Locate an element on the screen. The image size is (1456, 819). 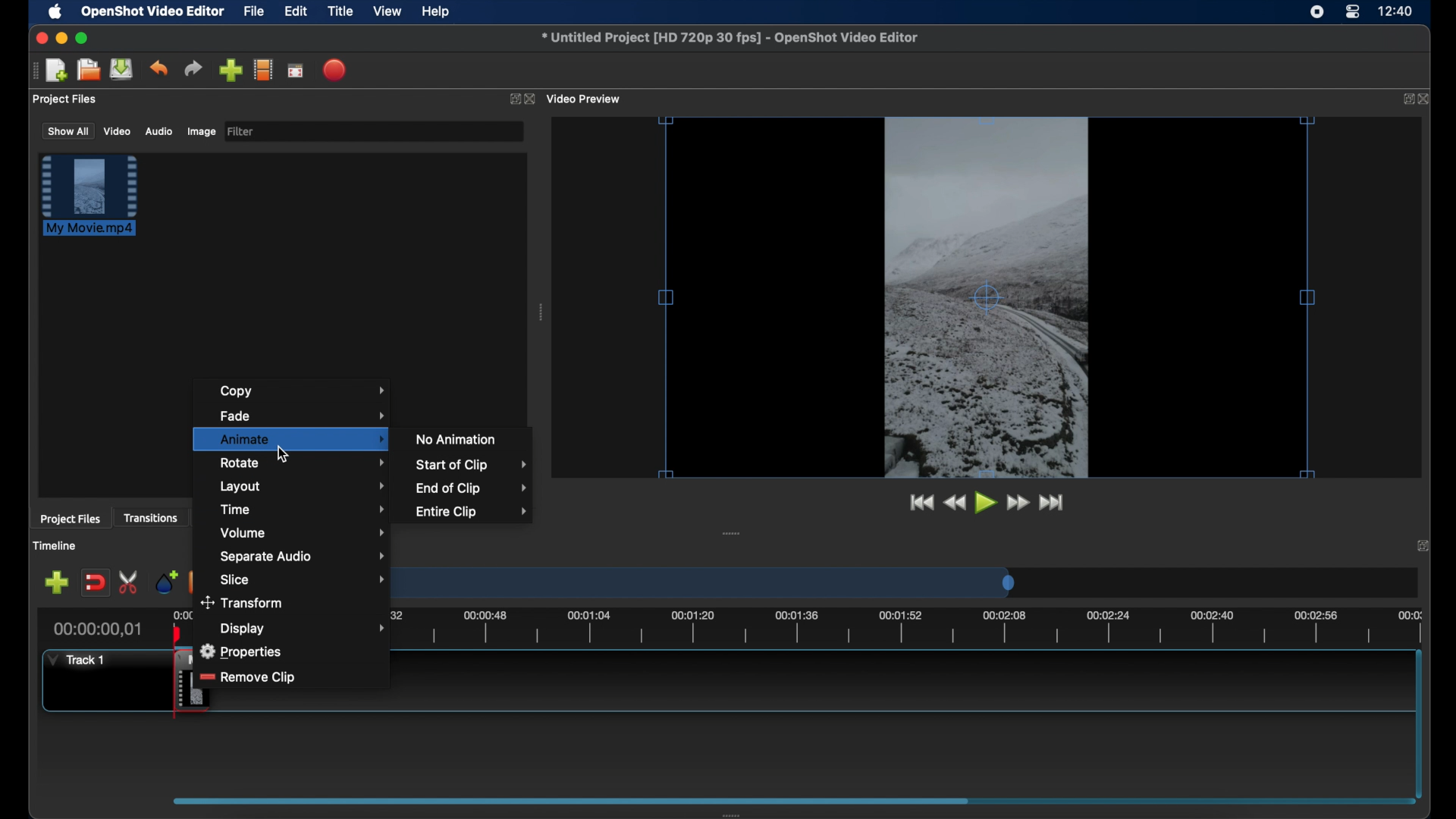
expand is located at coordinates (1423, 546).